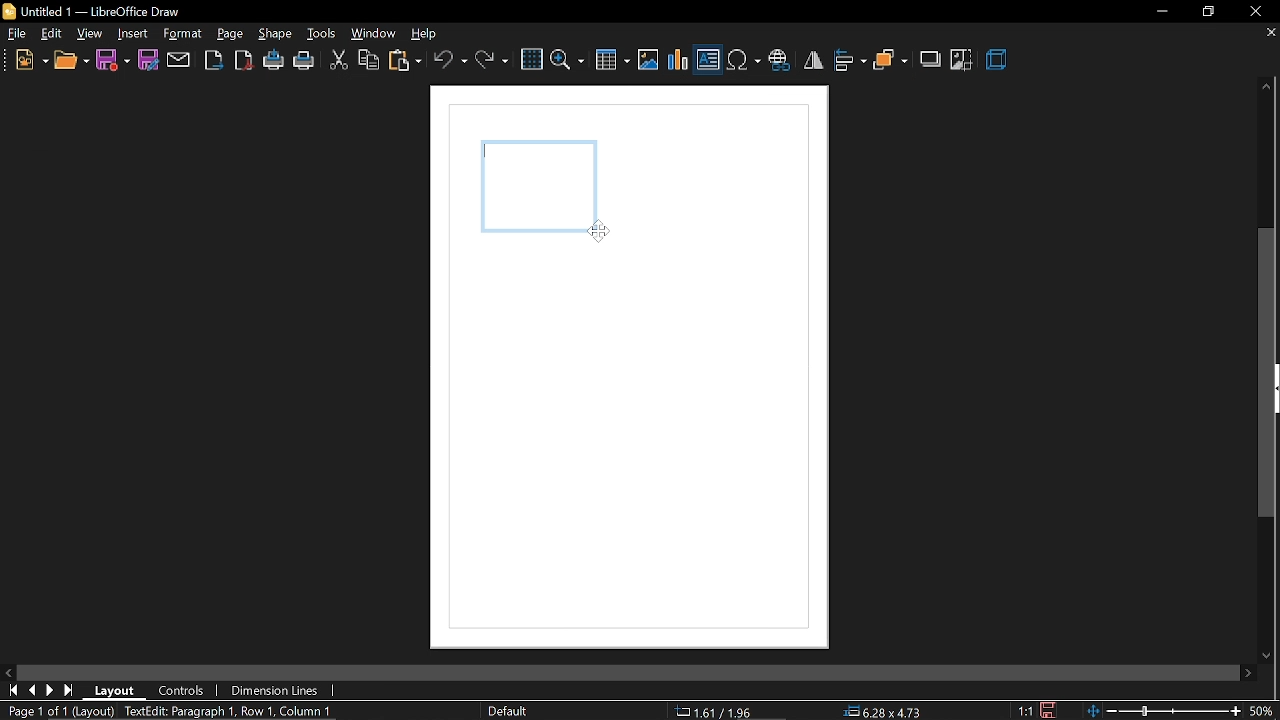 The image size is (1280, 720). What do you see at coordinates (96, 11) in the screenshot?
I see `current window` at bounding box center [96, 11].